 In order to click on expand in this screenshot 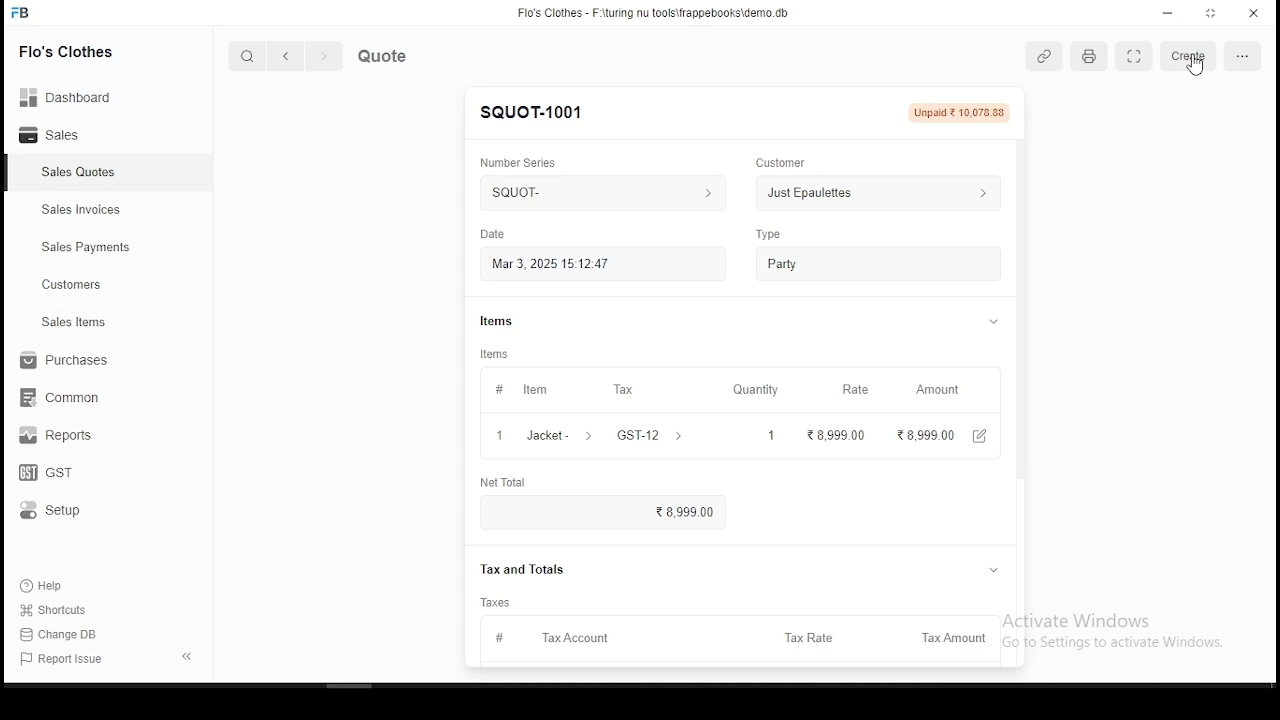, I will do `click(182, 654)`.